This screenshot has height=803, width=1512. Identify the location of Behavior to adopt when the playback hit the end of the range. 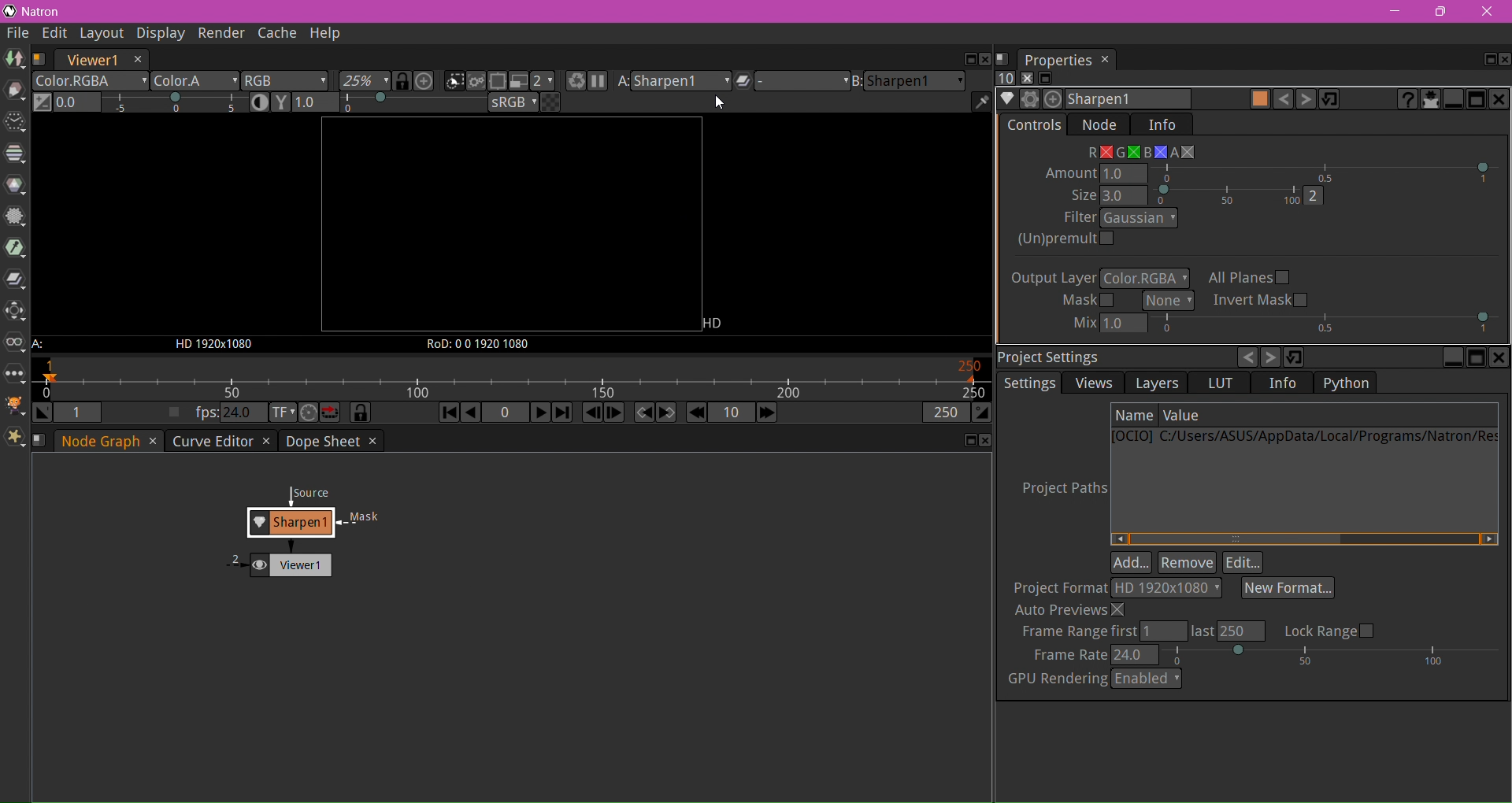
(331, 413).